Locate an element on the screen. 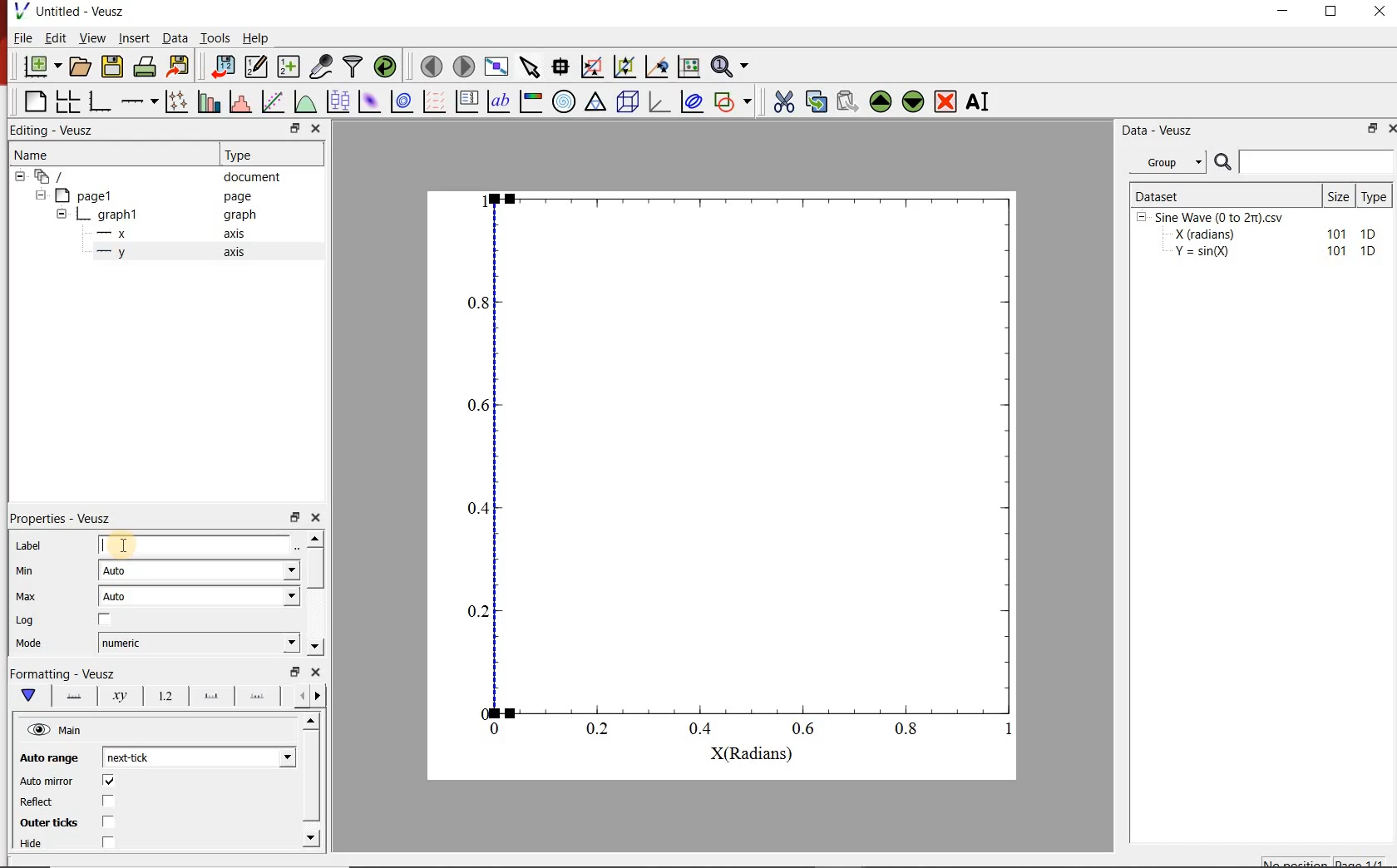 Image resolution: width=1397 pixels, height=868 pixels. cut is located at coordinates (784, 100).